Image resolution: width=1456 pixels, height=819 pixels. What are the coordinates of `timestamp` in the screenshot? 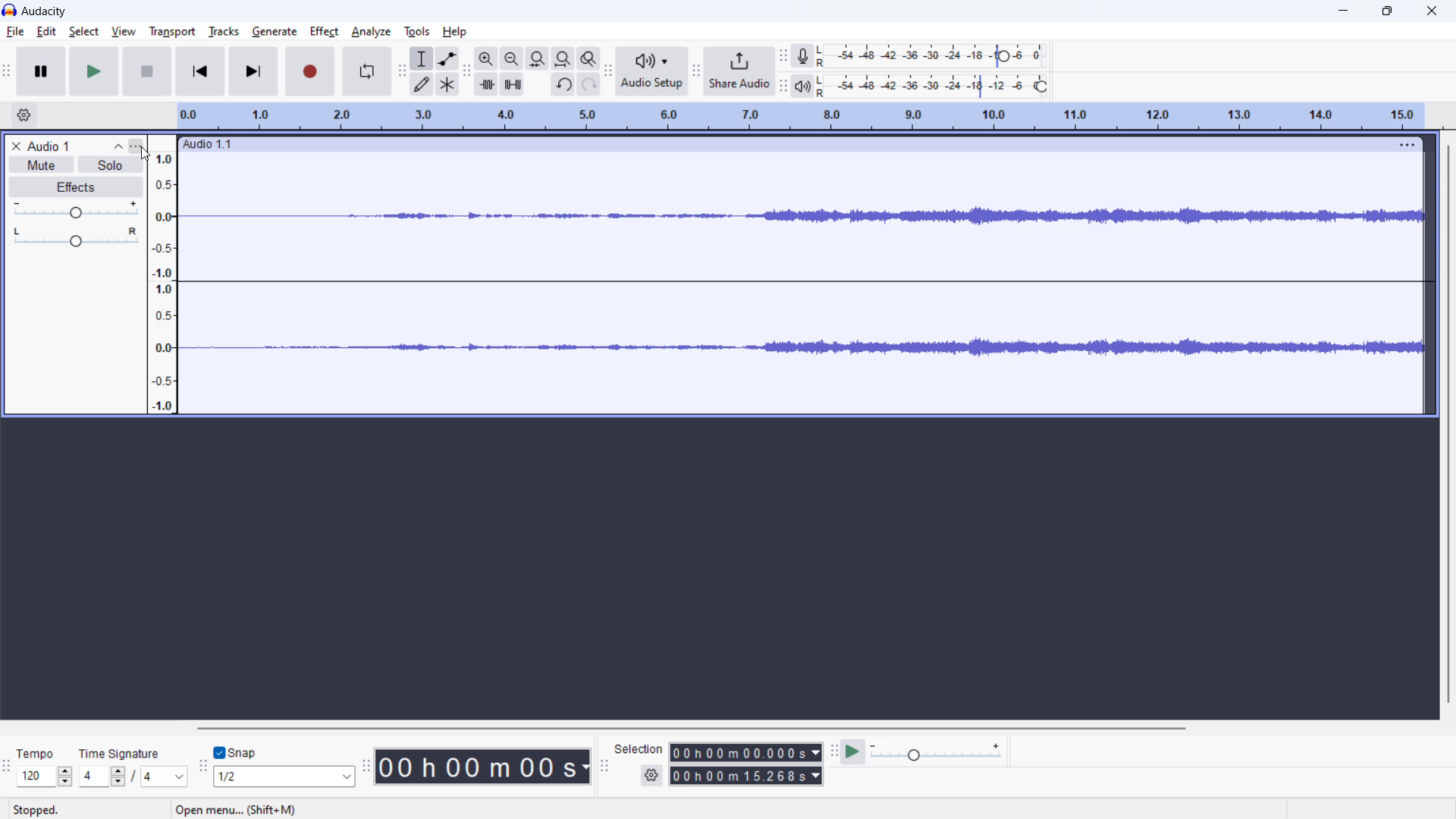 It's located at (483, 765).